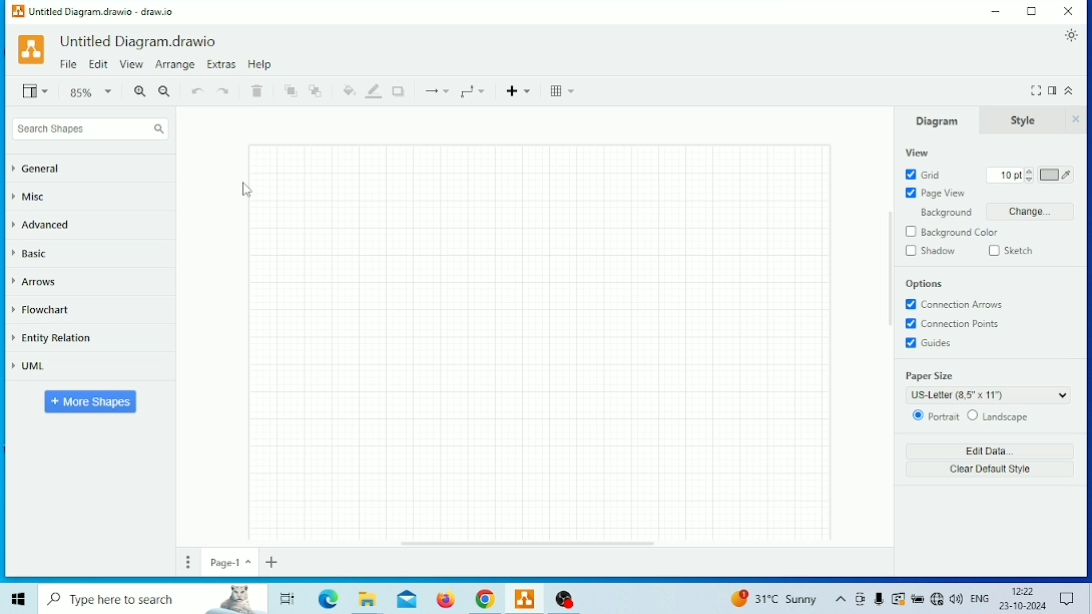 This screenshot has width=1092, height=614. I want to click on Portrait, so click(934, 416).